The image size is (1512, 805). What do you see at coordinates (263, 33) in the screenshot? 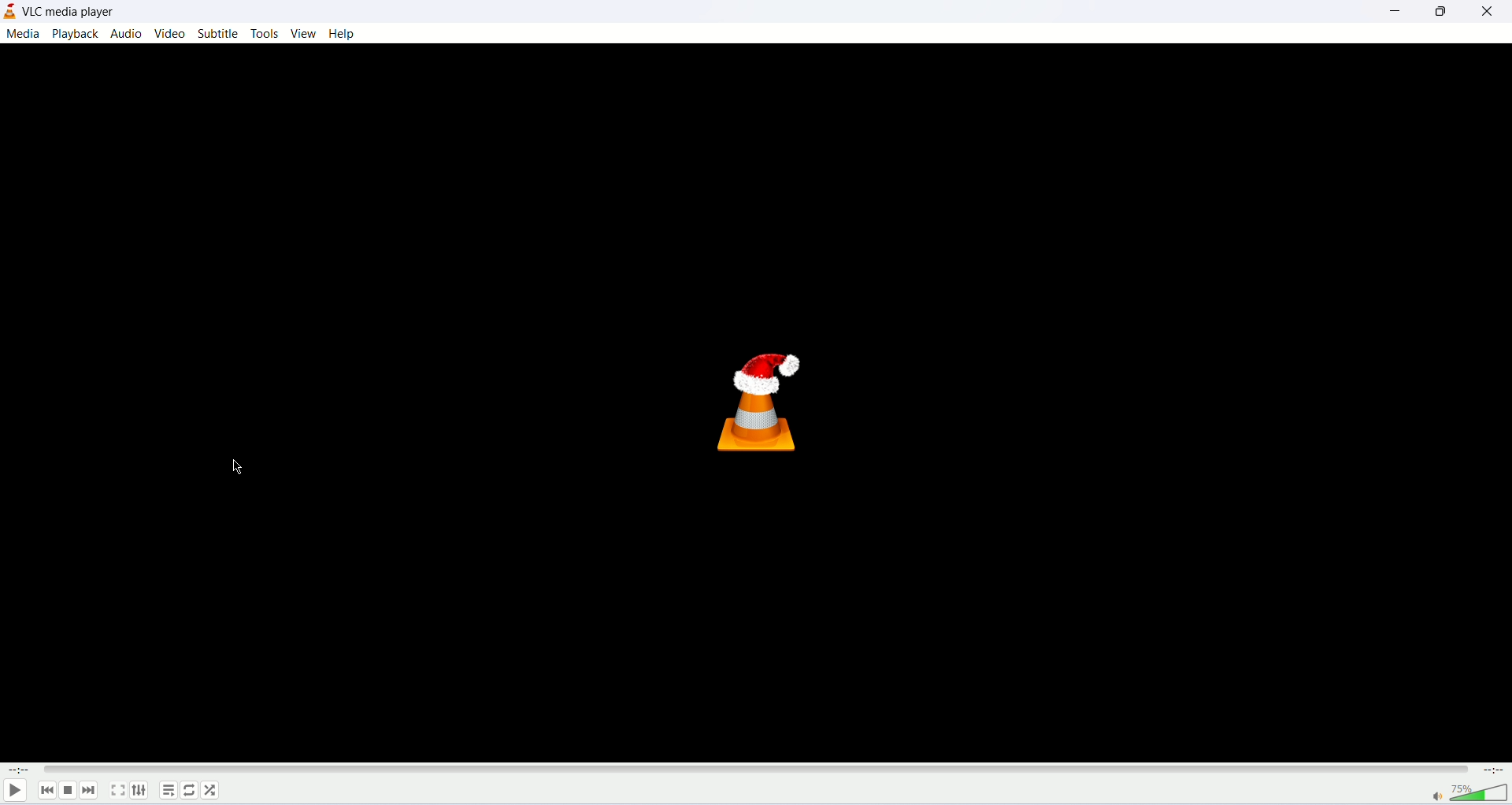
I see `tools` at bounding box center [263, 33].